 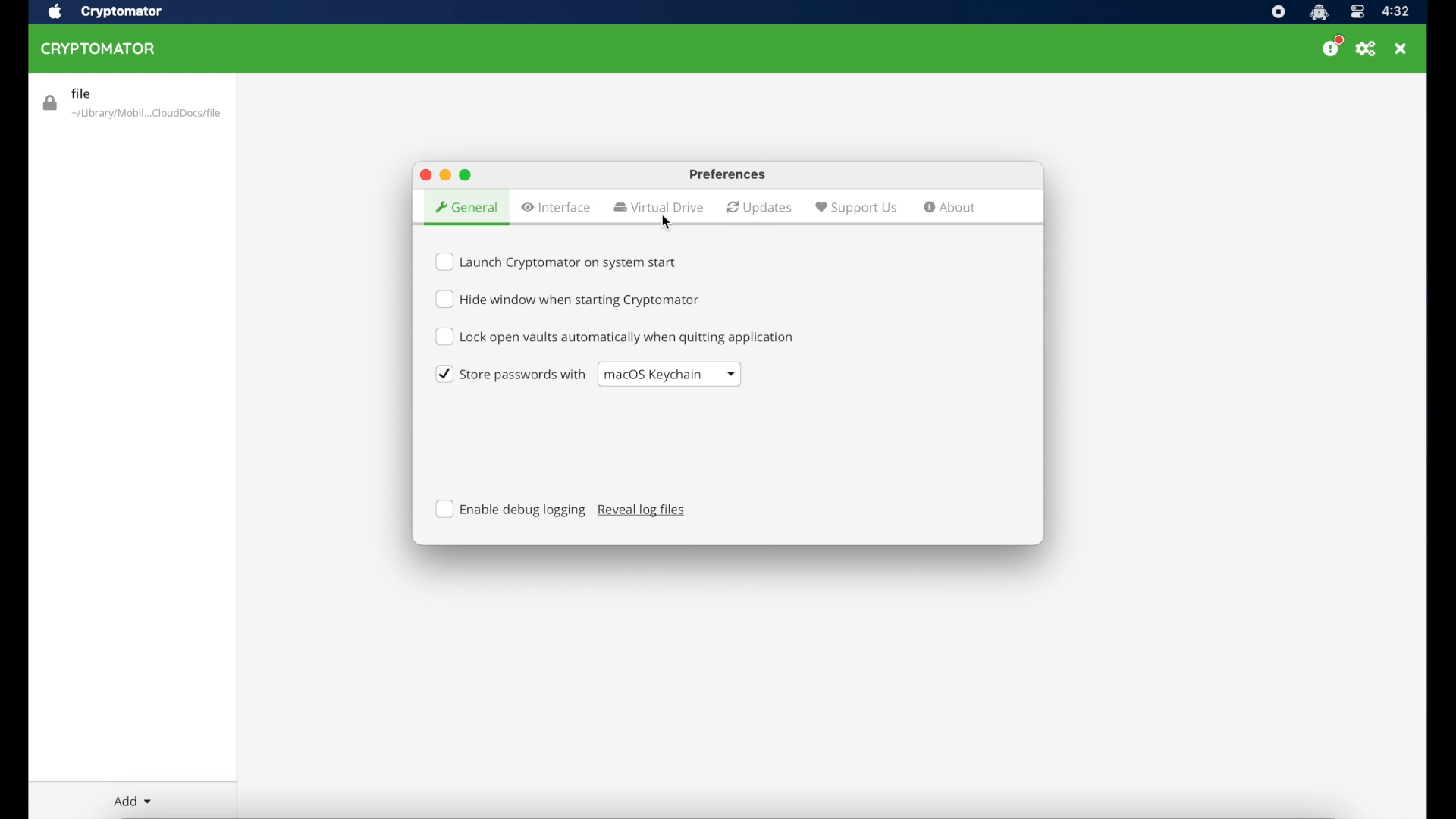 I want to click on cryptomator, so click(x=102, y=49).